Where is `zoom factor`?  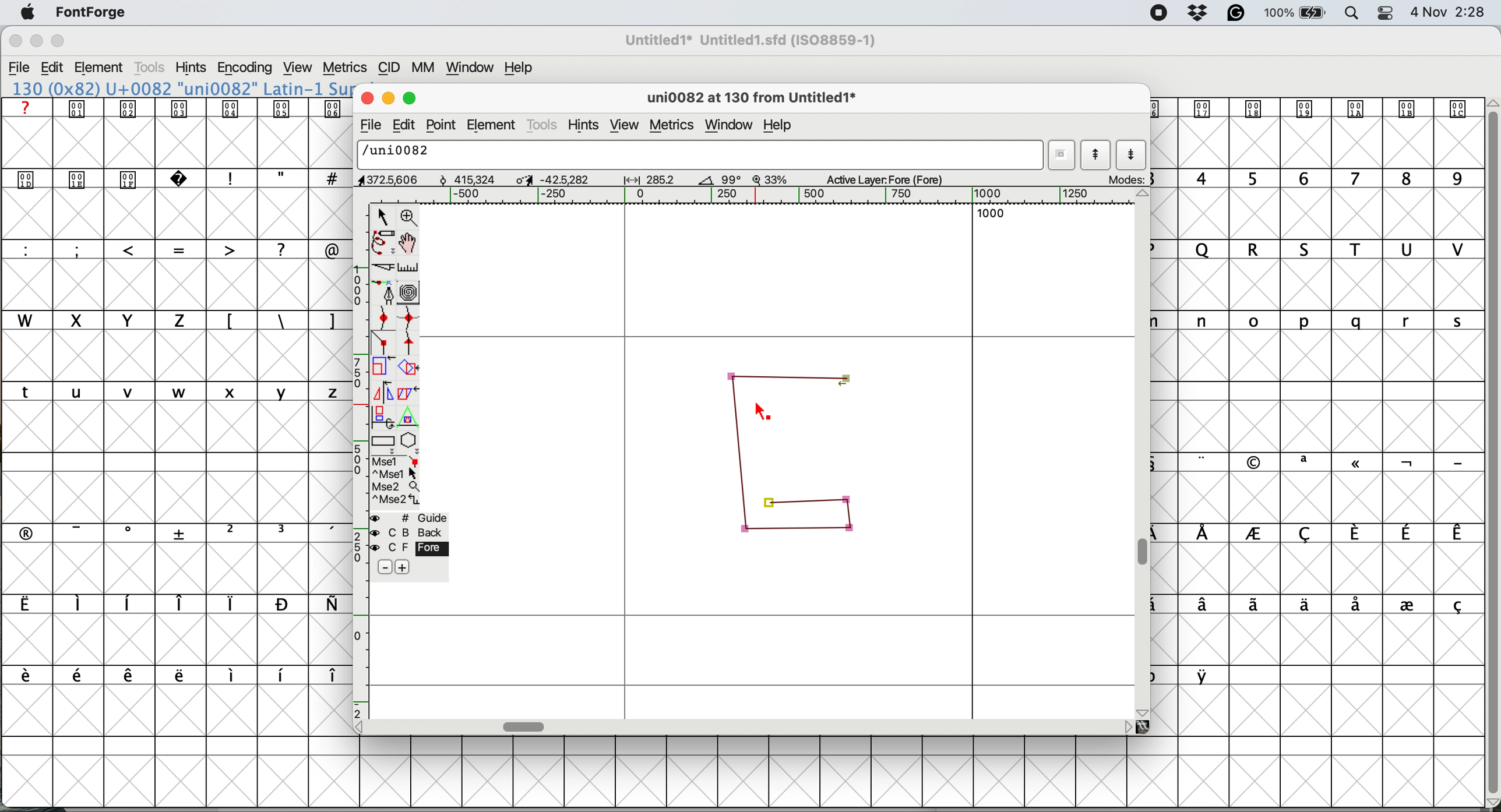 zoom factor is located at coordinates (770, 179).